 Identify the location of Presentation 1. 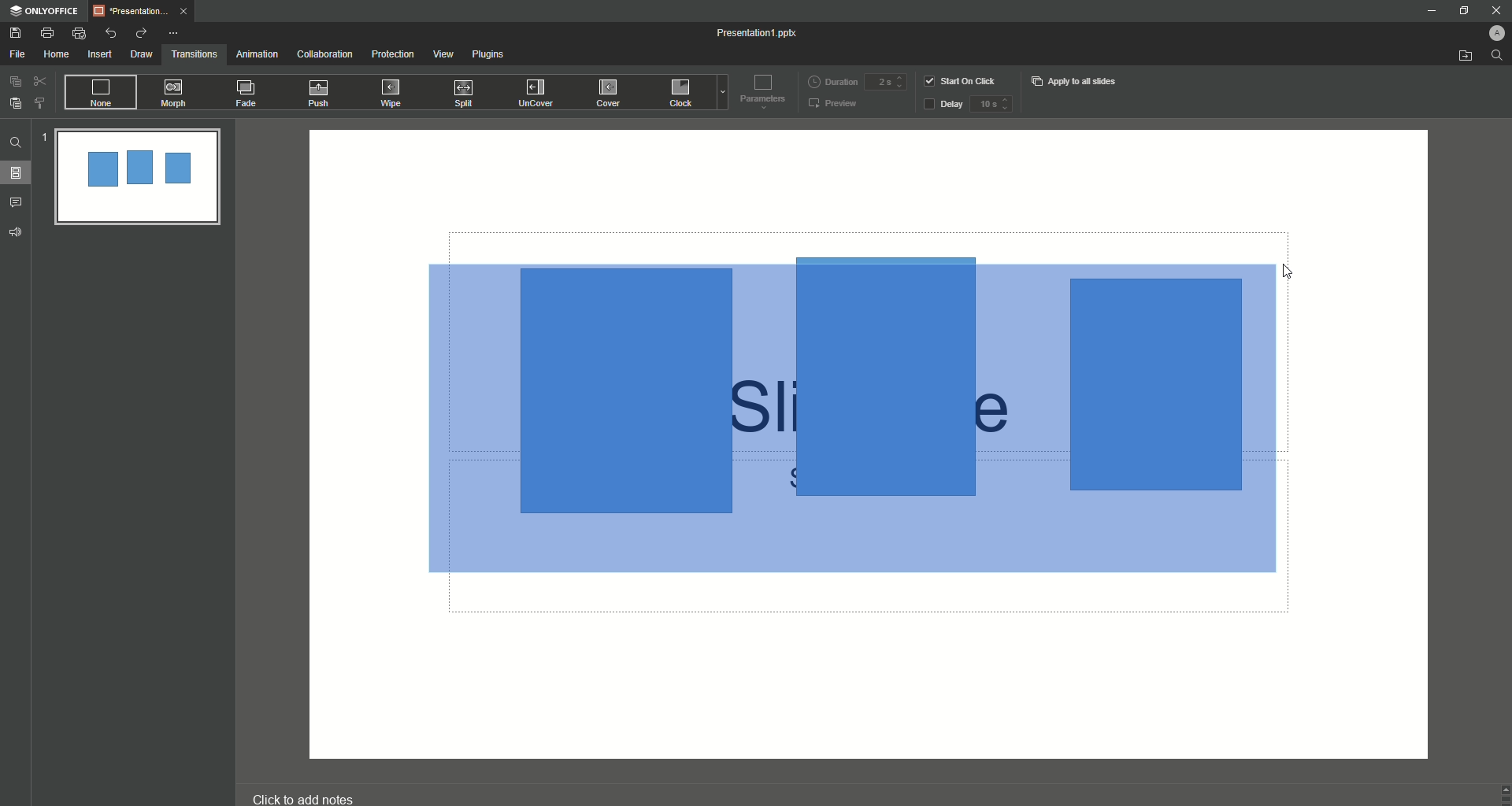
(759, 33).